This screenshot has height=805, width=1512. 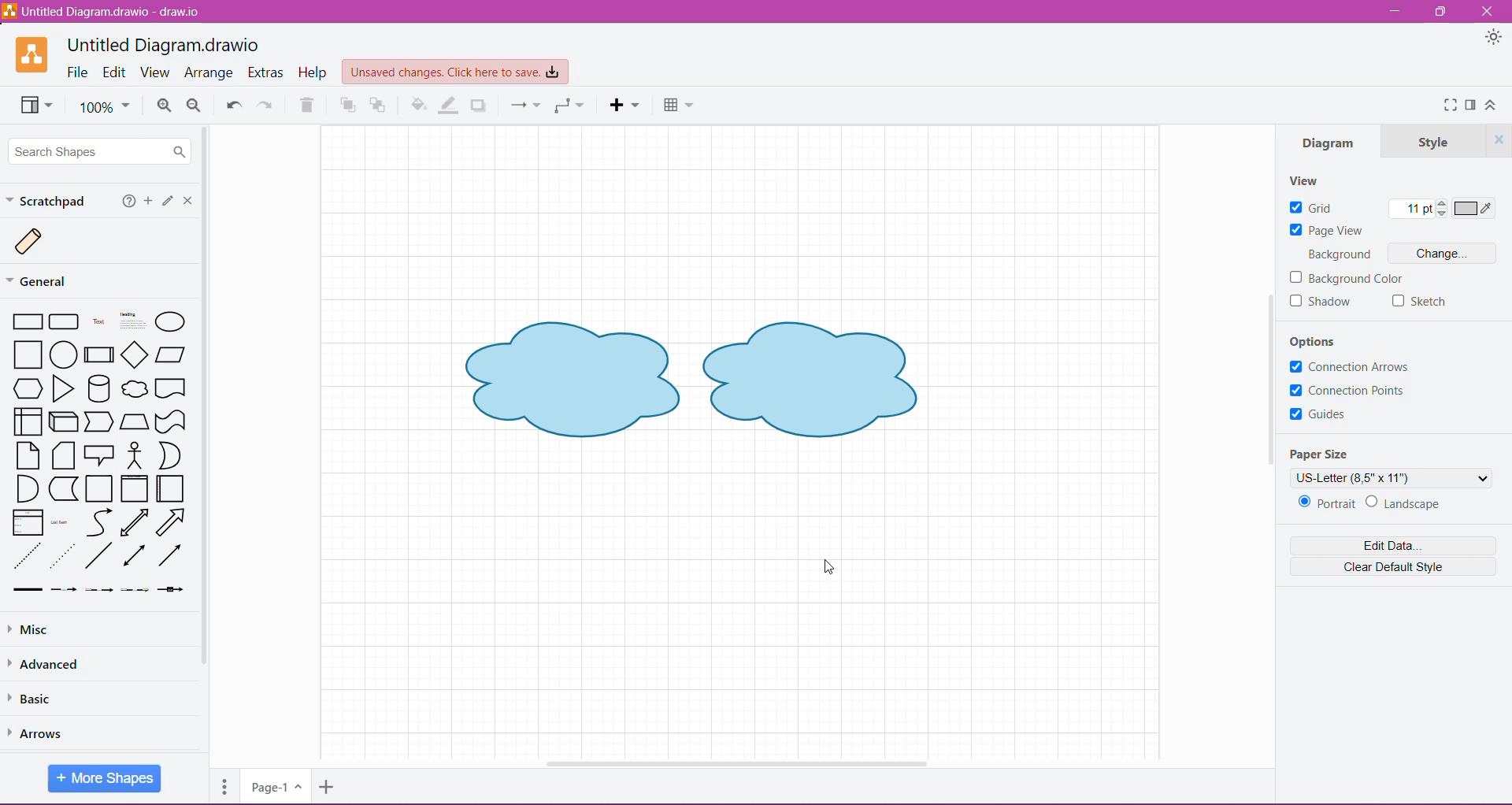 I want to click on View, so click(x=1305, y=180).